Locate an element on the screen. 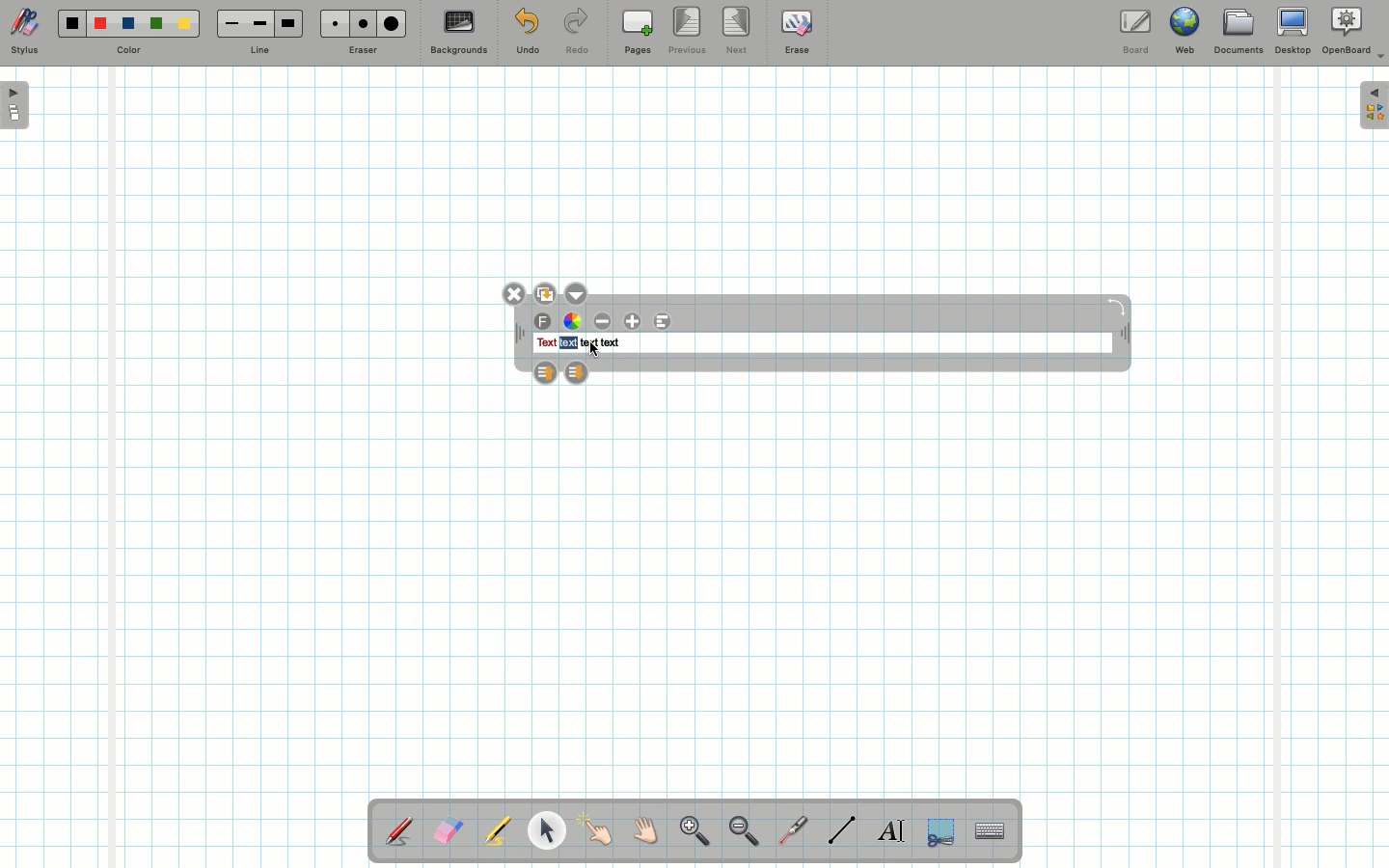 The height and width of the screenshot is (868, 1389). Large eraser is located at coordinates (392, 23).